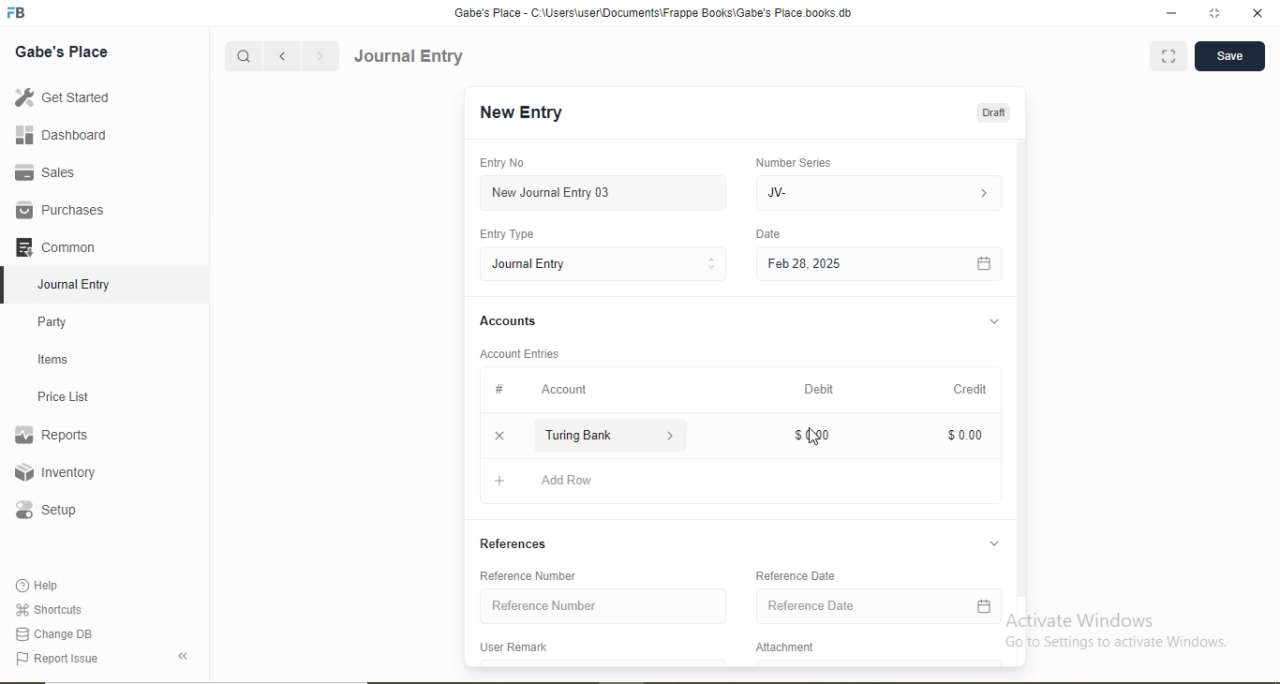  Describe the element at coordinates (564, 390) in the screenshot. I see `Account` at that location.